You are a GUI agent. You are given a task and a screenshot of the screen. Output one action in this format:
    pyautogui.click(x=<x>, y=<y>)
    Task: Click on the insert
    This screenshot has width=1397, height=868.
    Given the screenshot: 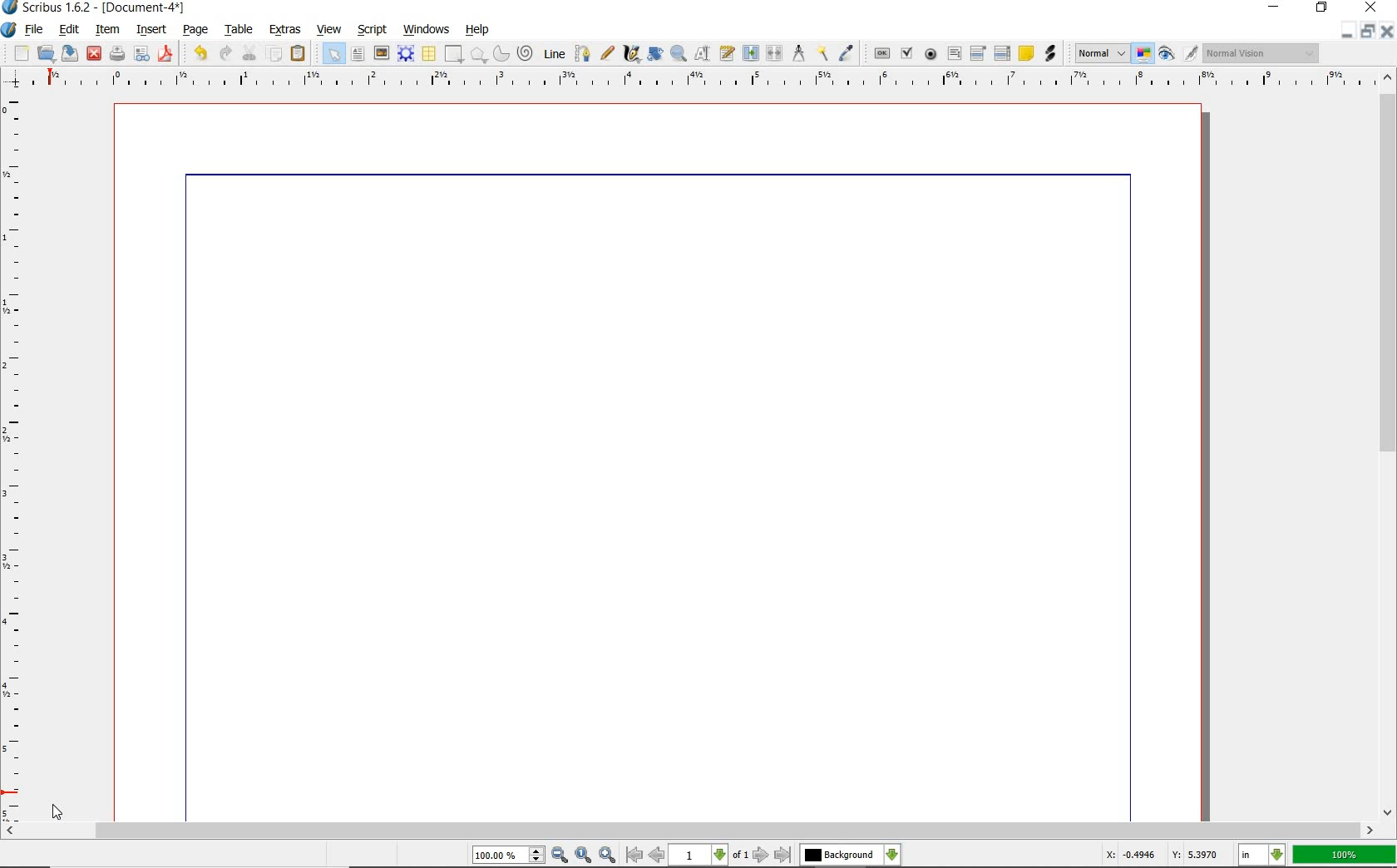 What is the action you would take?
    pyautogui.click(x=151, y=29)
    